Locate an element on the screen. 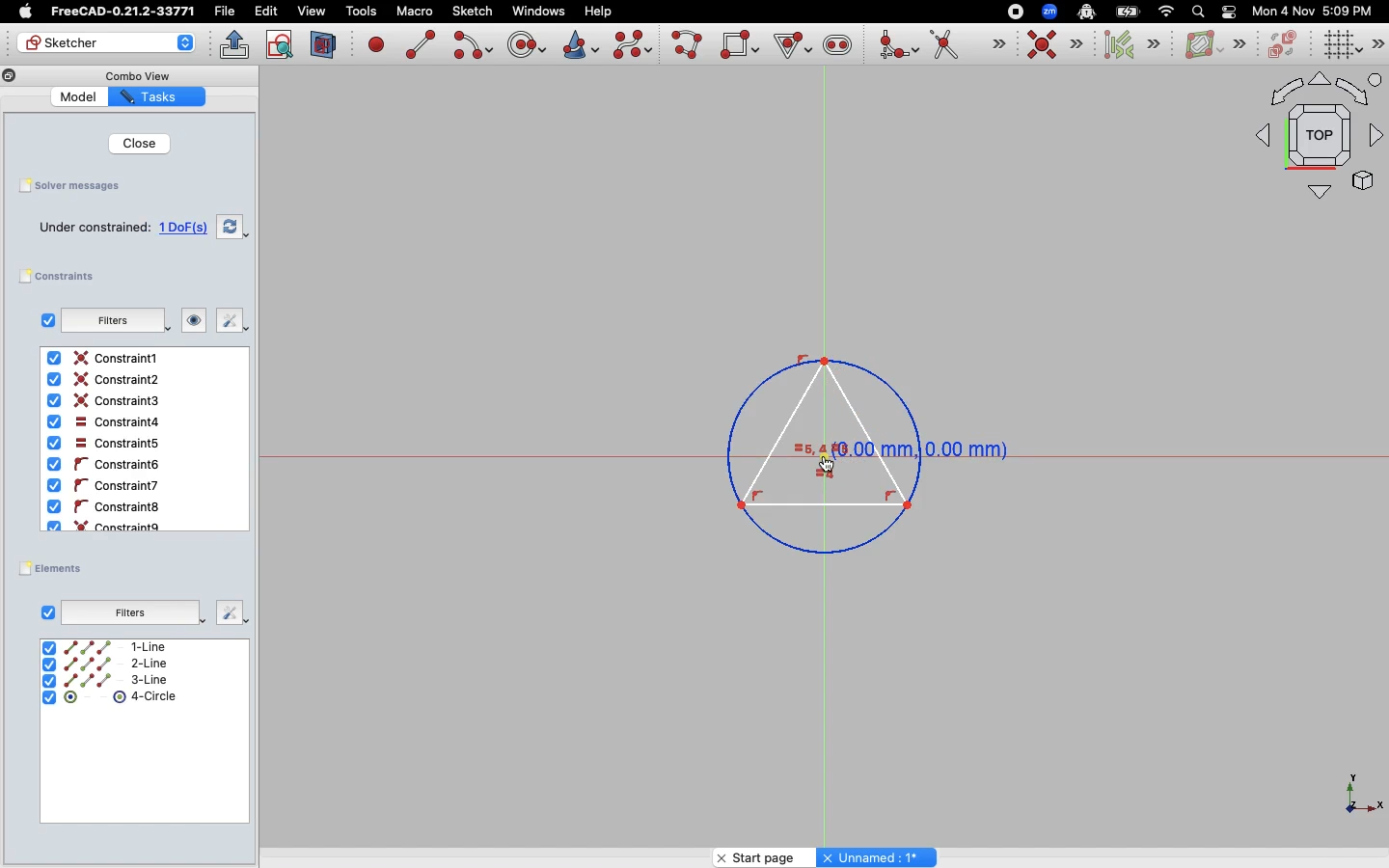 The height and width of the screenshot is (868, 1389). Robot is located at coordinates (1086, 14).